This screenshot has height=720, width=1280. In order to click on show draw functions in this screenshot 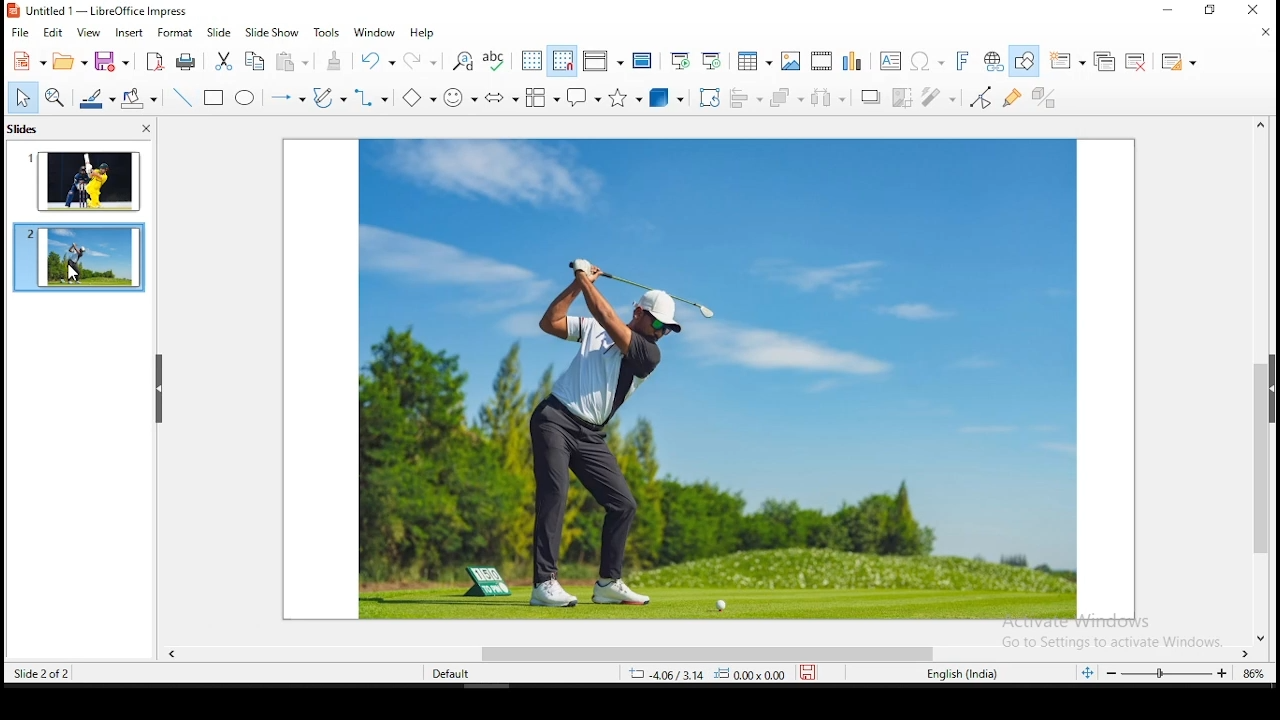, I will do `click(1024, 63)`.